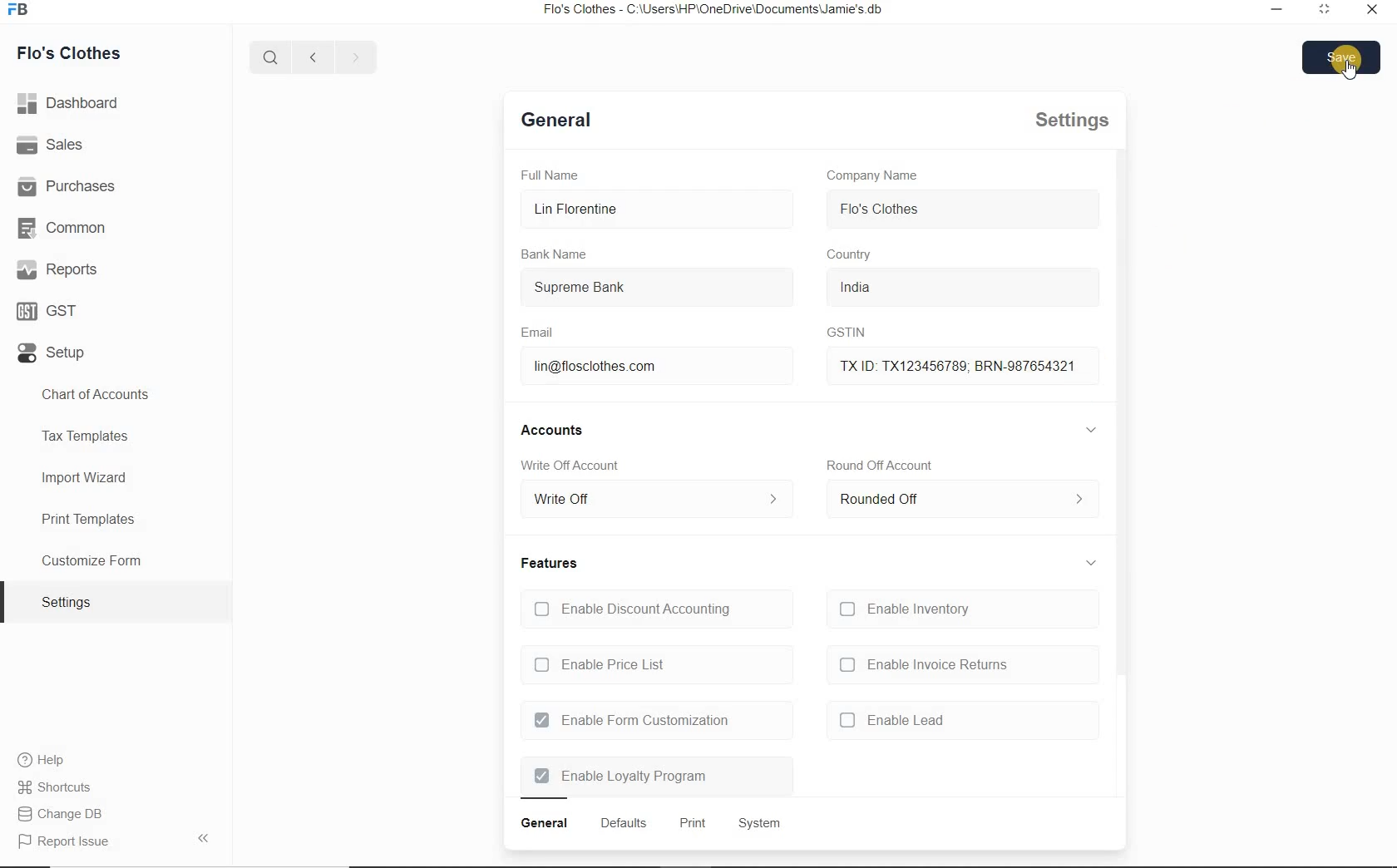 The image size is (1397, 868). Describe the element at coordinates (556, 254) in the screenshot. I see `Bank Name` at that location.